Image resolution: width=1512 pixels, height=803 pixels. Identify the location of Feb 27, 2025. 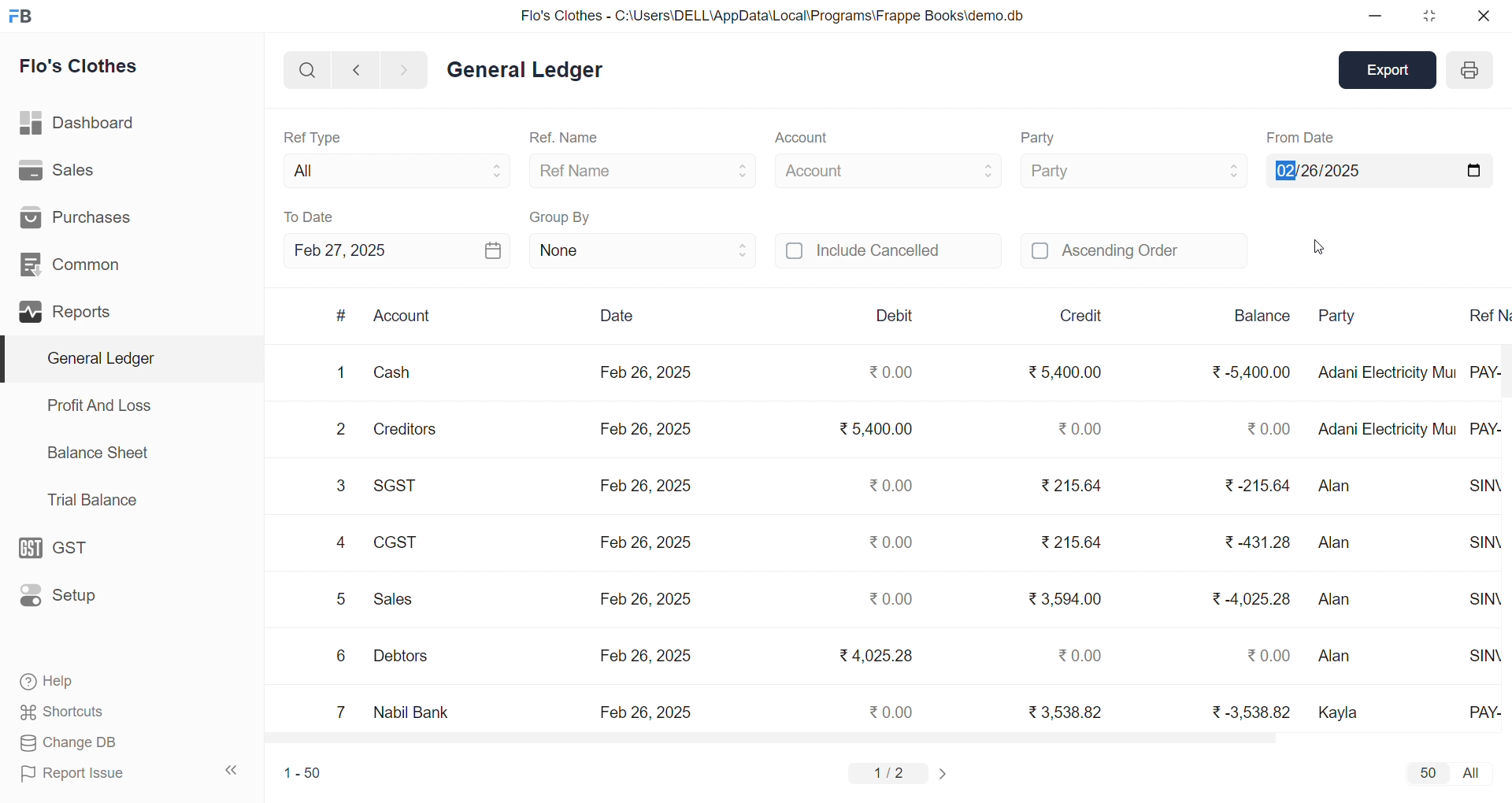
(397, 250).